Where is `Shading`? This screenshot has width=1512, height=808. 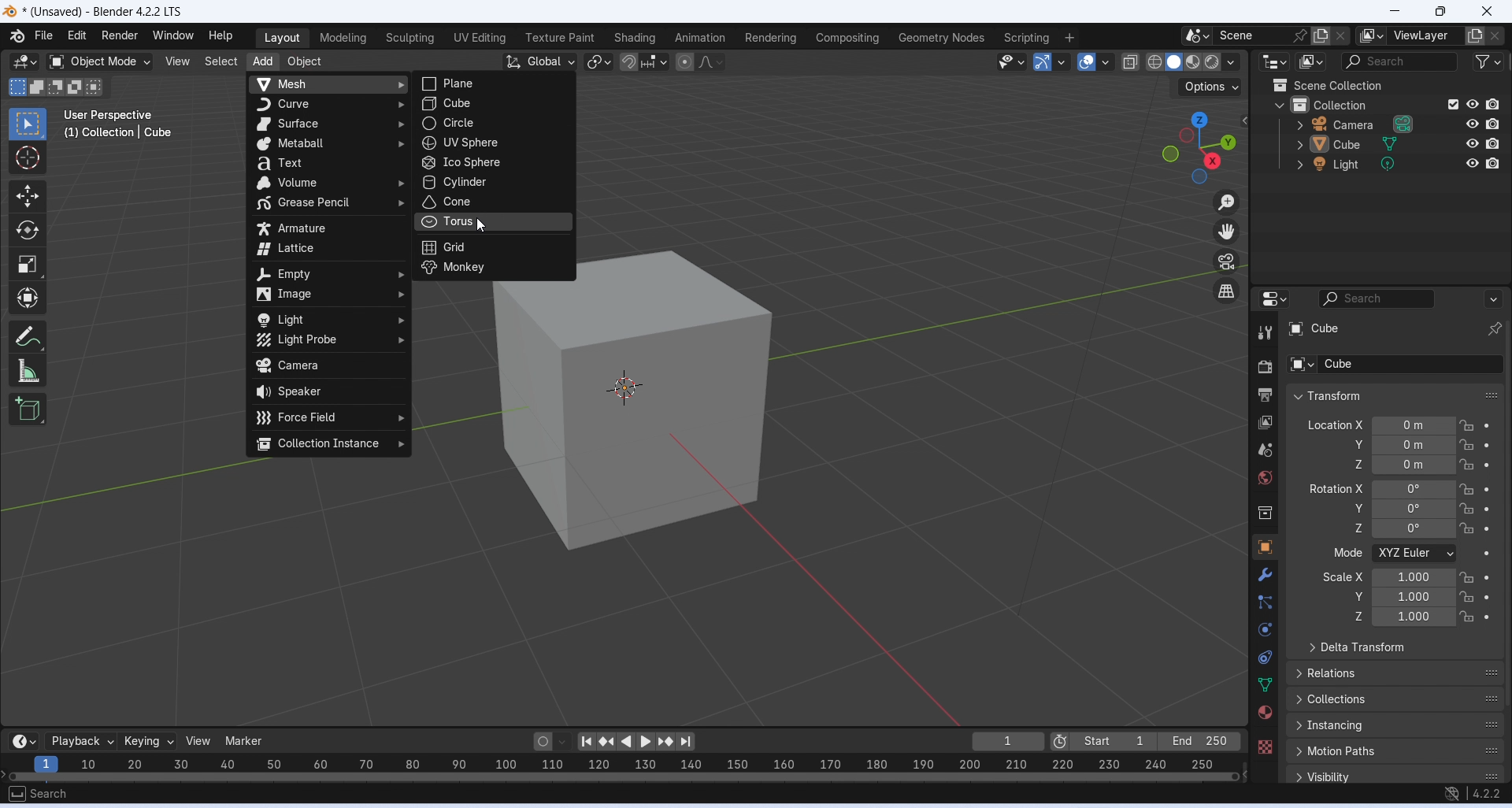
Shading is located at coordinates (635, 39).